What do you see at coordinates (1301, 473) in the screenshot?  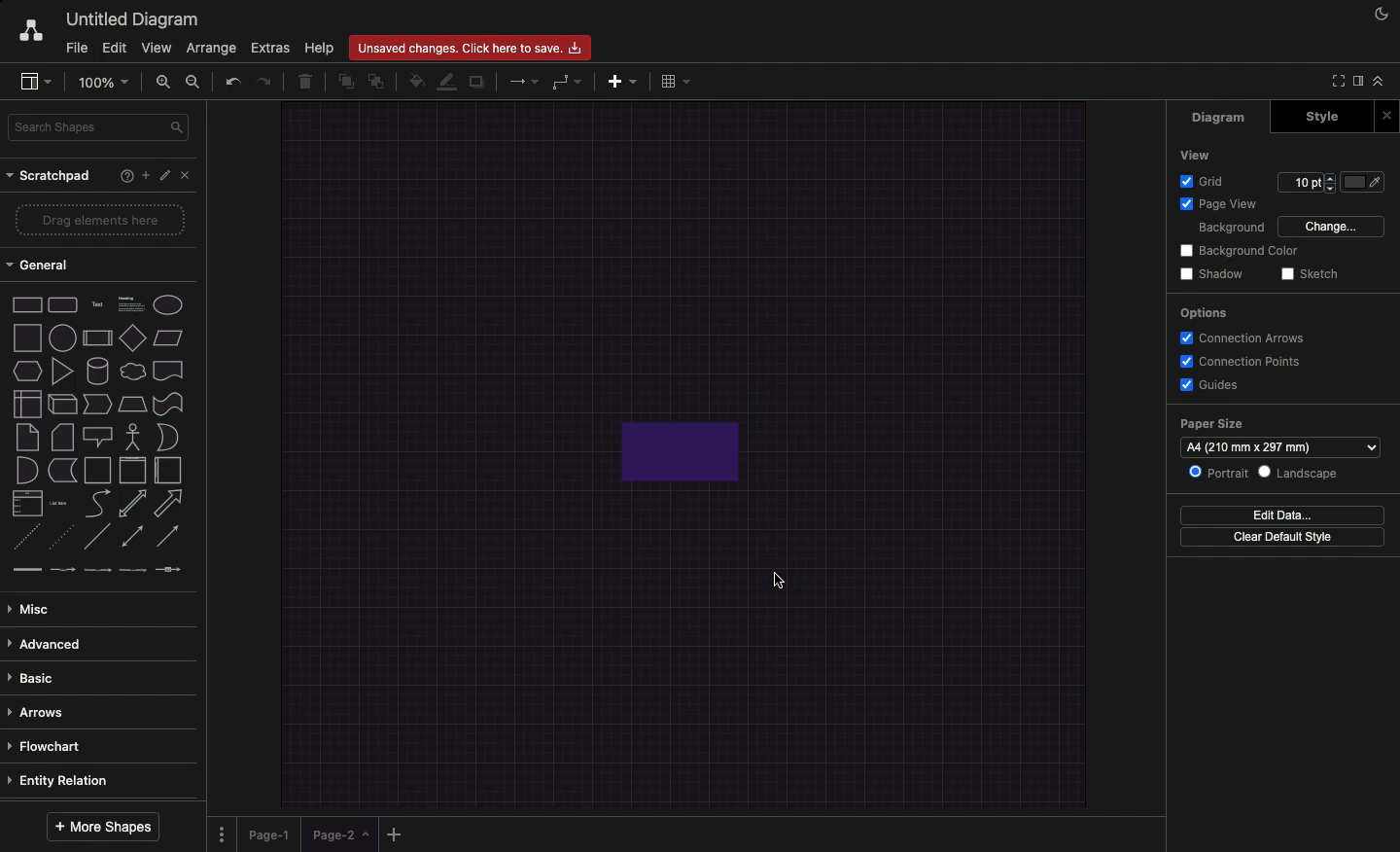 I see `Landscape` at bounding box center [1301, 473].